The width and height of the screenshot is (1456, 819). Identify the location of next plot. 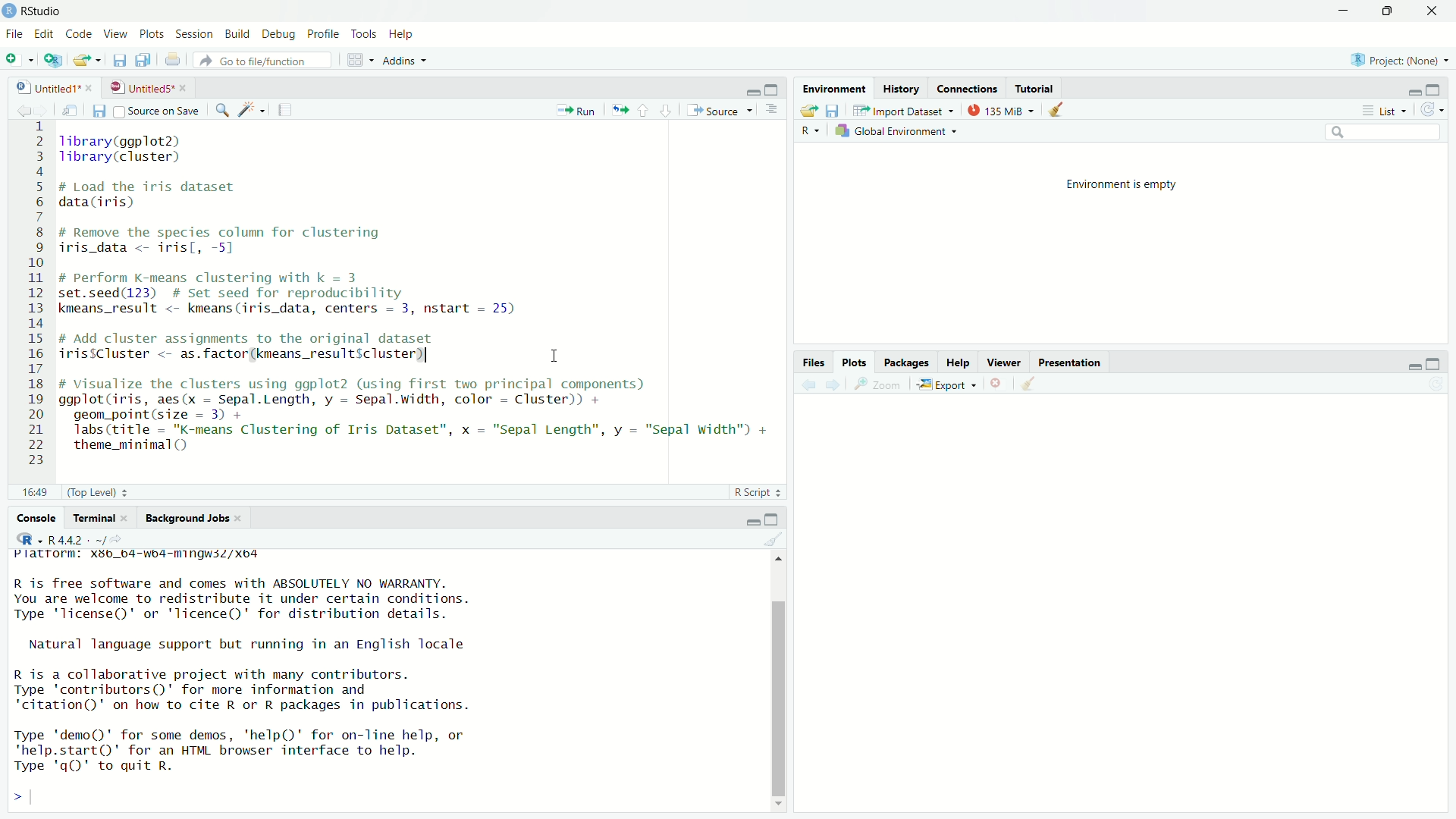
(830, 385).